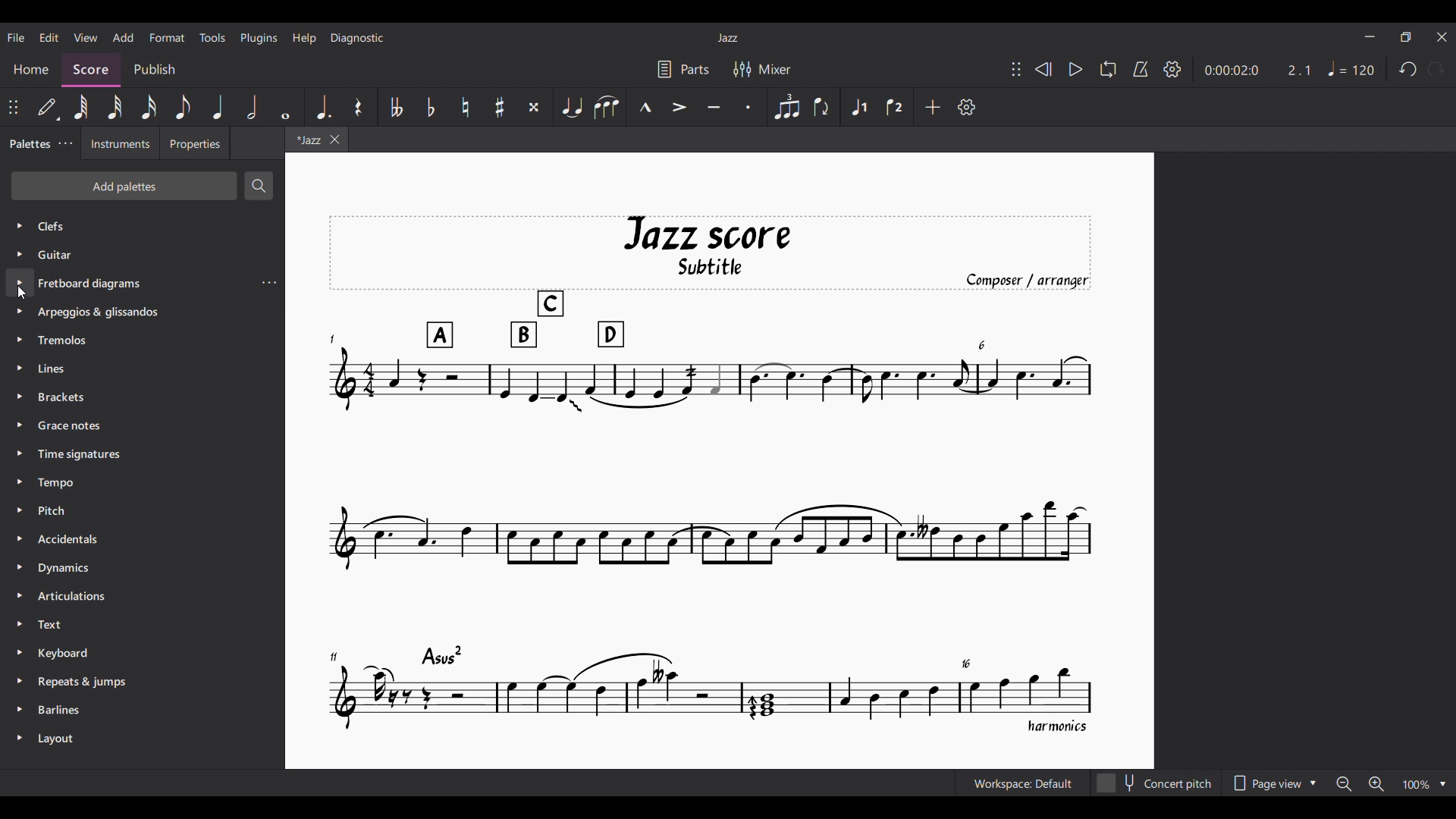 The image size is (1456, 819). Describe the element at coordinates (76, 598) in the screenshot. I see `Articulations` at that location.